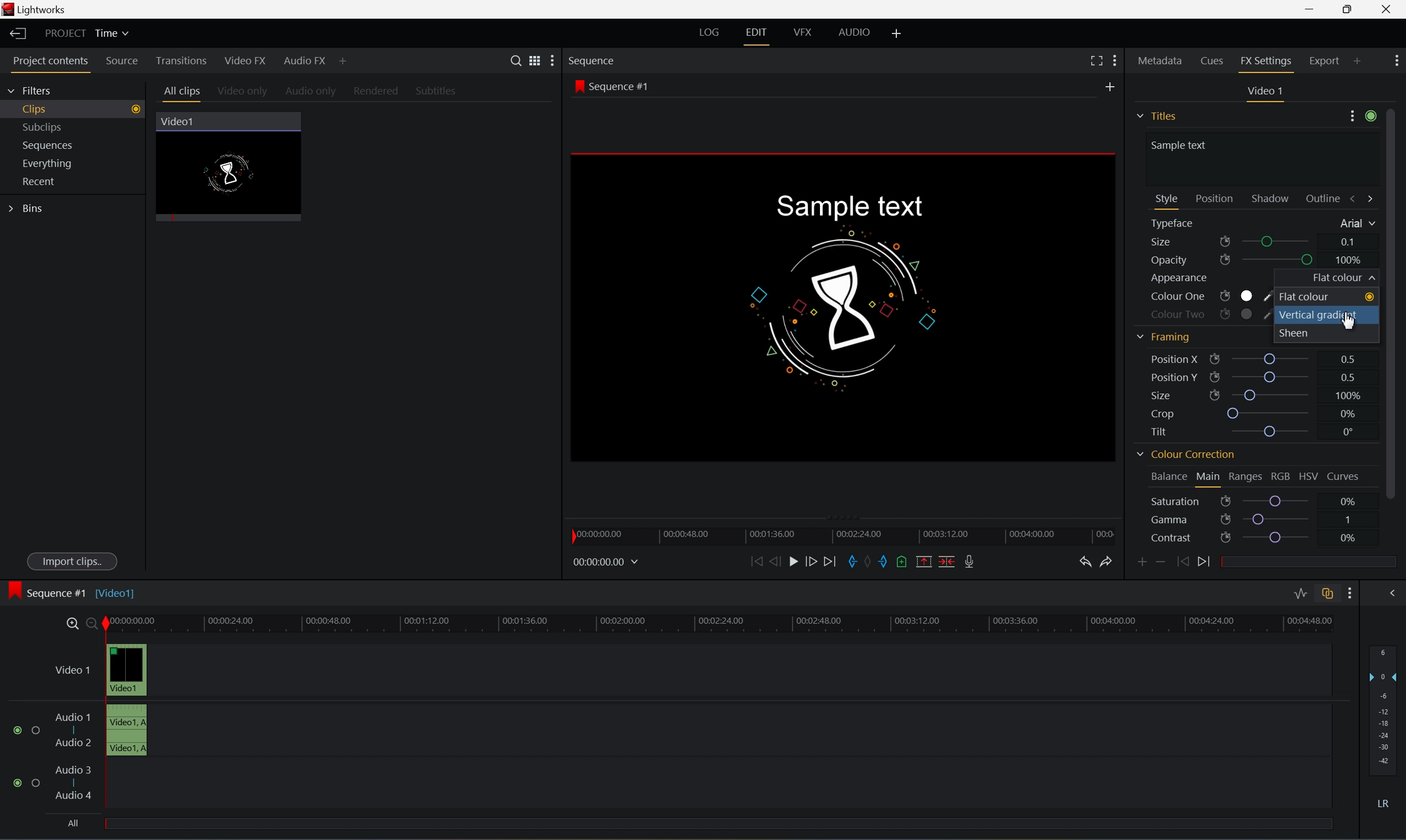 This screenshot has height=840, width=1406. I want to click on 100%, so click(1349, 260).